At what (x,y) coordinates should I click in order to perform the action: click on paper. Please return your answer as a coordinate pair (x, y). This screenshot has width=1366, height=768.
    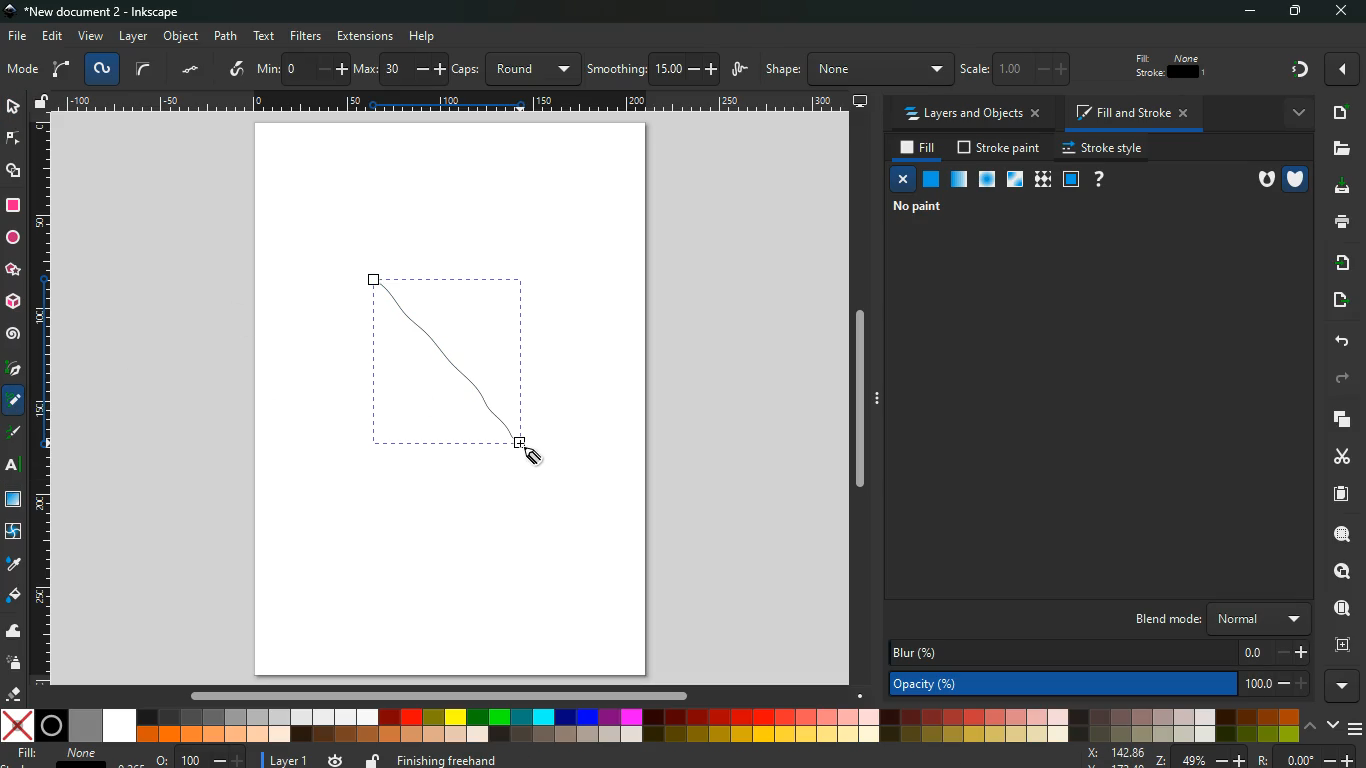
    Looking at the image, I should click on (1340, 494).